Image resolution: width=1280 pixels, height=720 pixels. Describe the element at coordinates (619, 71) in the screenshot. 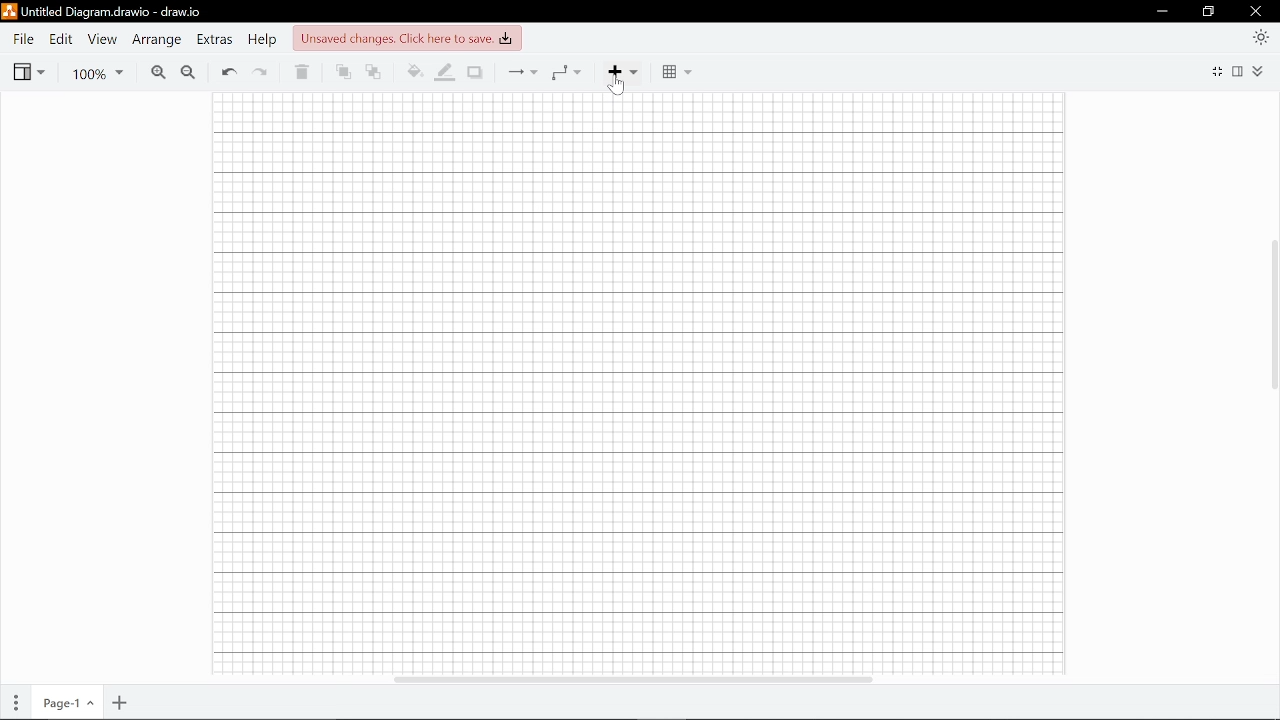

I see `Add` at that location.